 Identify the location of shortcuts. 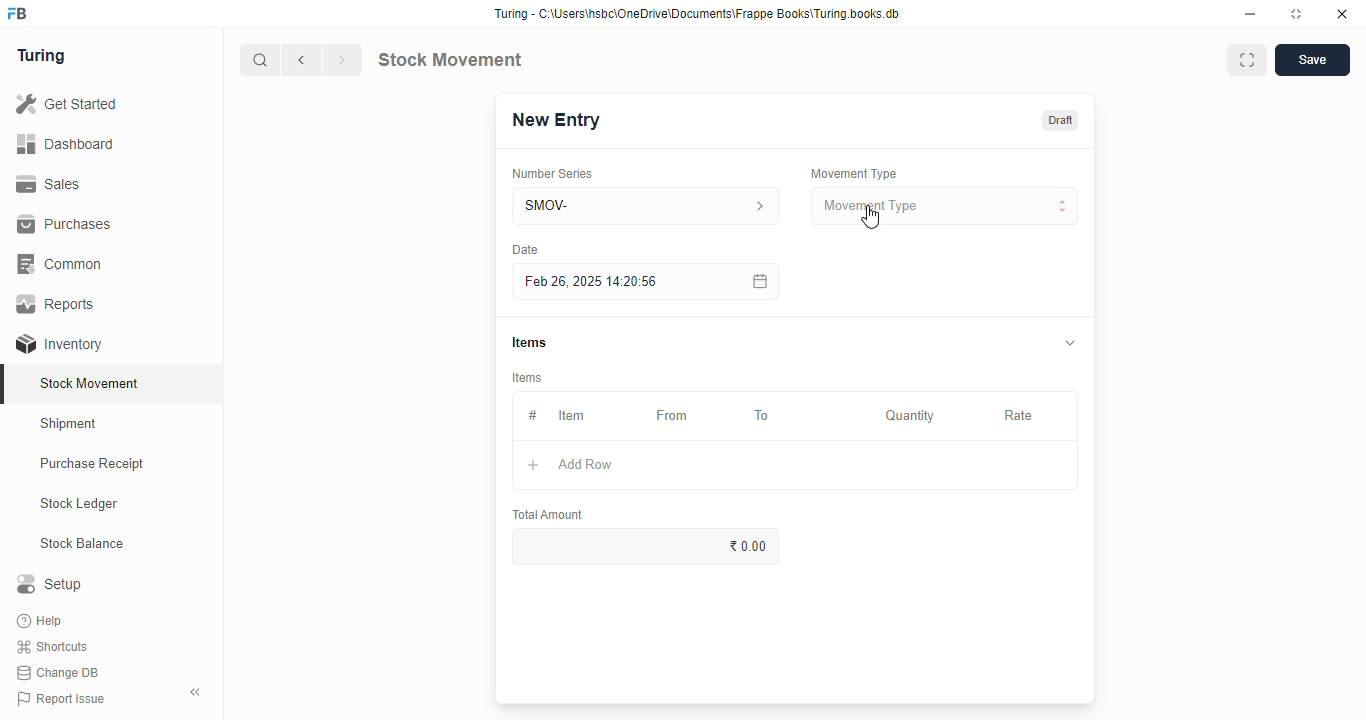
(52, 647).